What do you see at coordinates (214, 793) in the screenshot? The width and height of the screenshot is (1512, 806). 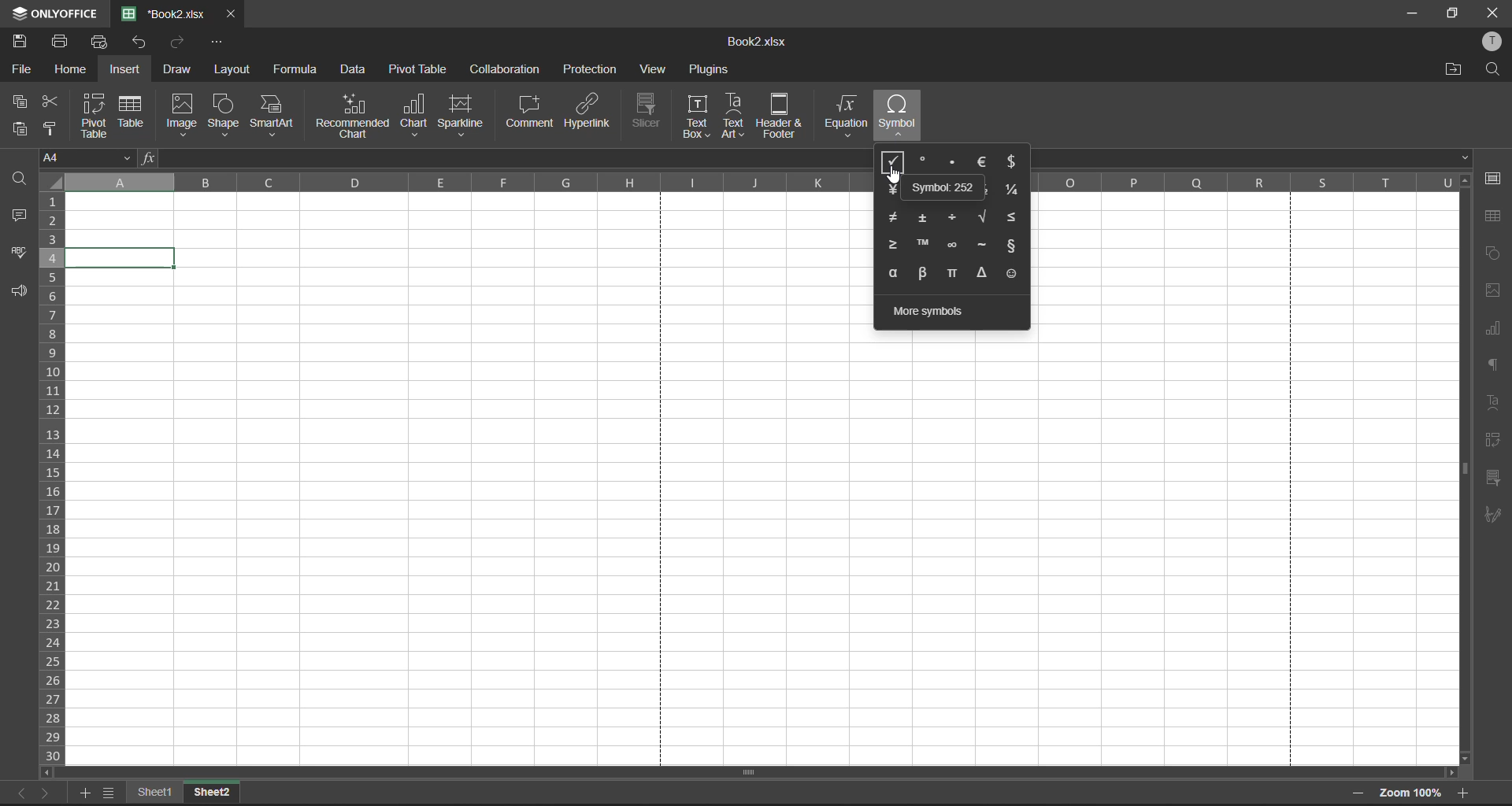 I see `Sheet2` at bounding box center [214, 793].